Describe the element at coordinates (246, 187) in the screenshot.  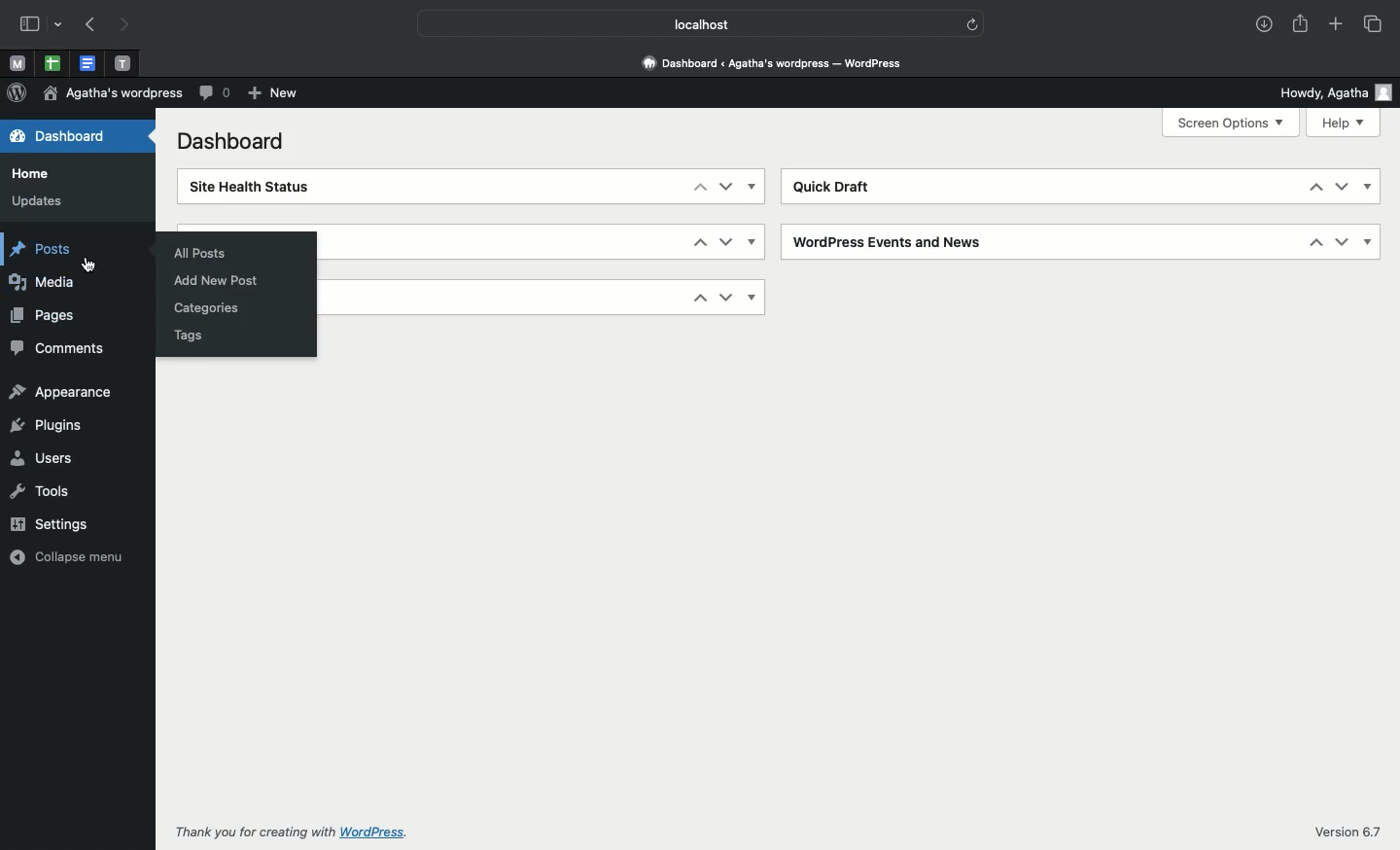
I see `Site health status` at that location.